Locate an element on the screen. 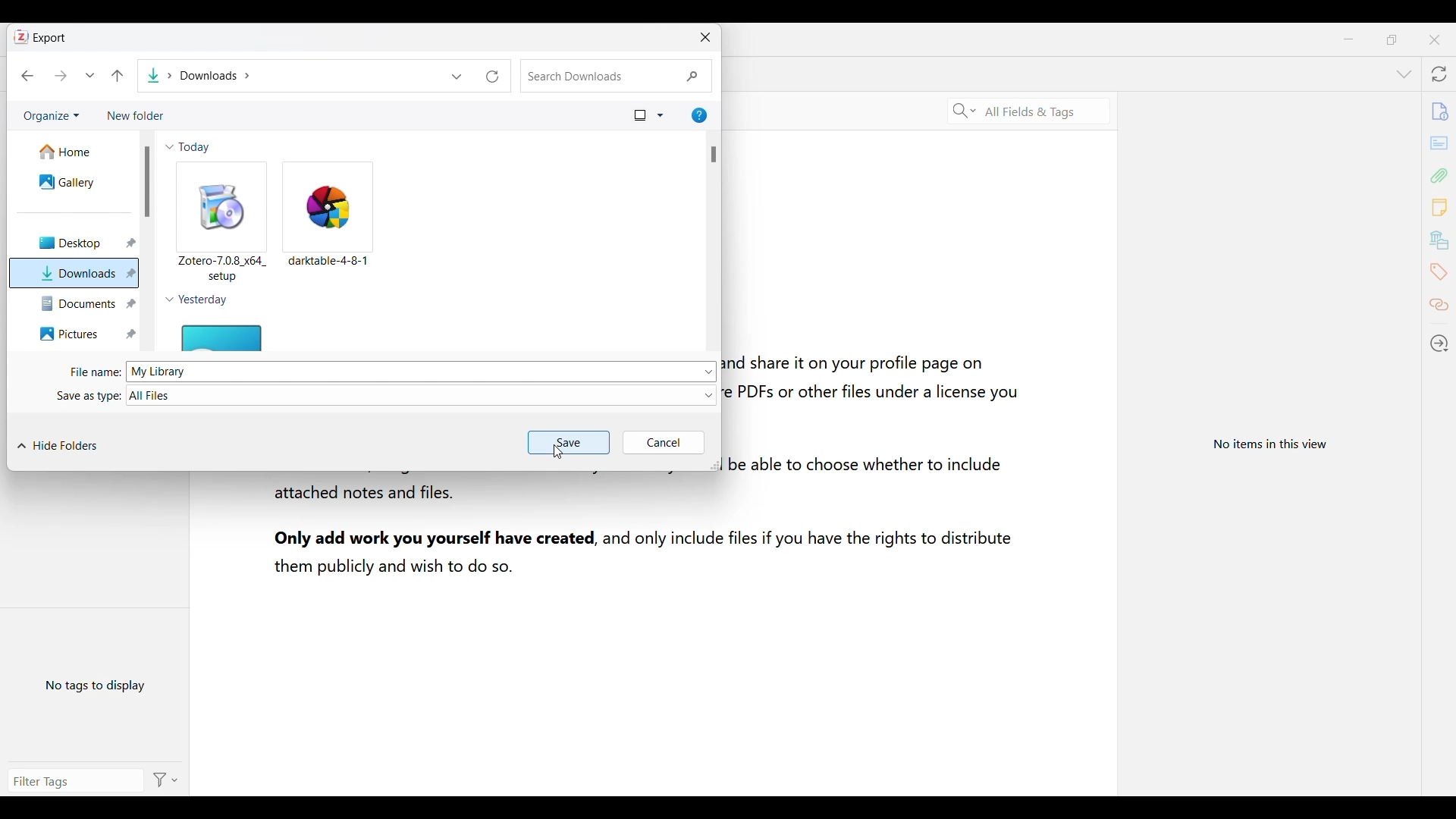  New folder is located at coordinates (151, 117).